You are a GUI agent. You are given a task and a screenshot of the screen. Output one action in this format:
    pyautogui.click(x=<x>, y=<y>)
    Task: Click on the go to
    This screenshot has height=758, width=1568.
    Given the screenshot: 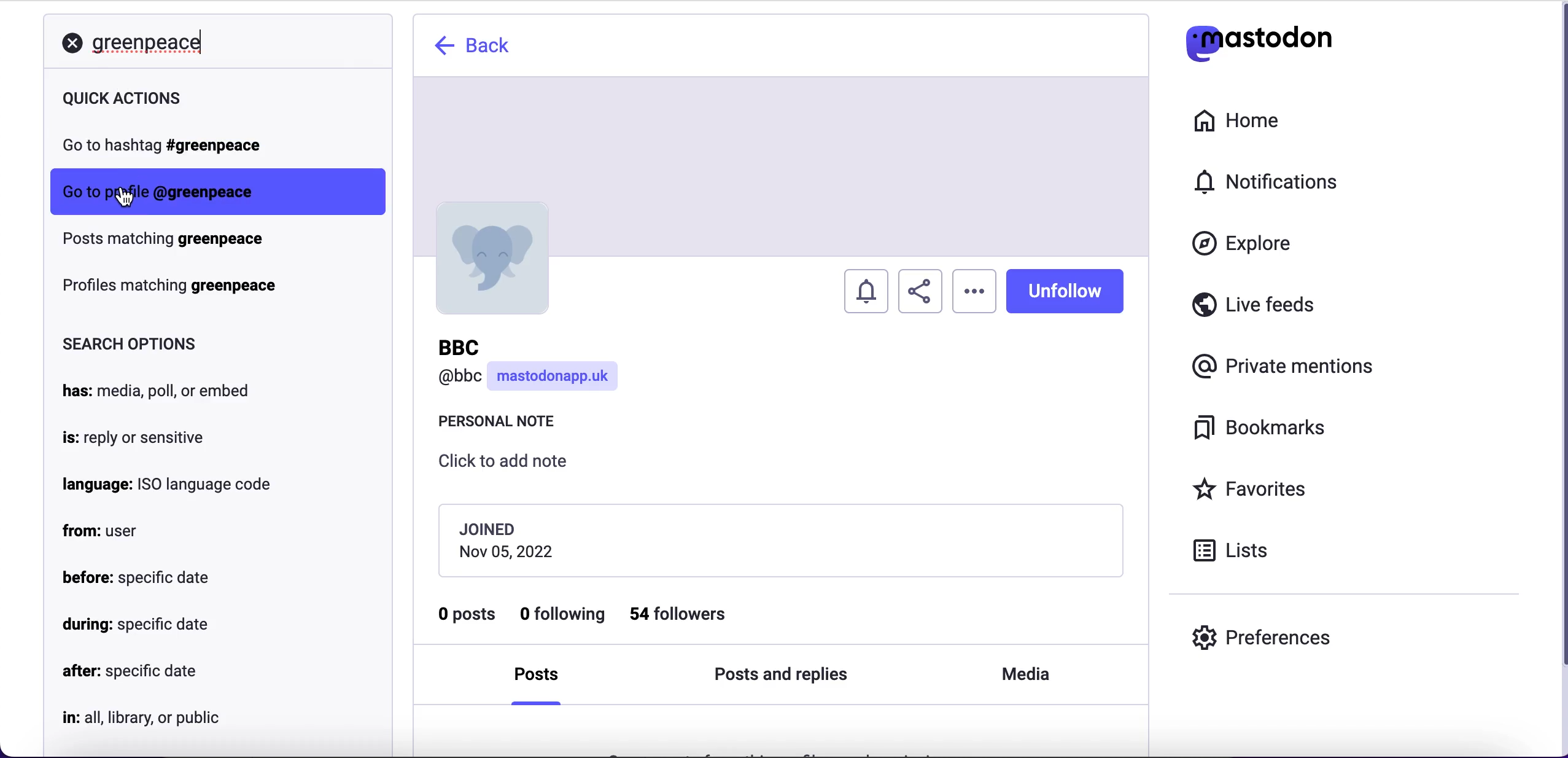 What is the action you would take?
    pyautogui.click(x=79, y=192)
    